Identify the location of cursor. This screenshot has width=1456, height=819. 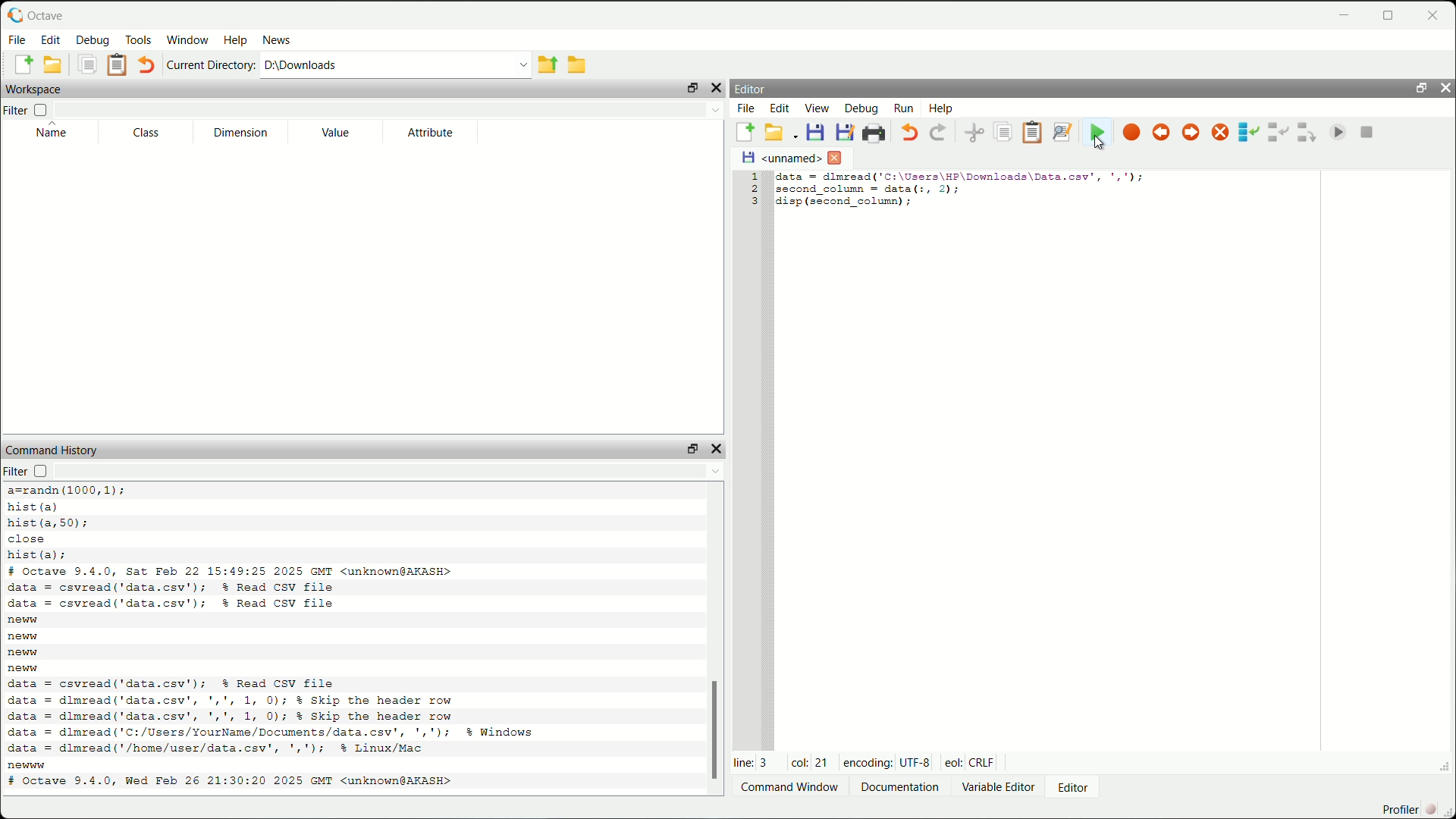
(1100, 144).